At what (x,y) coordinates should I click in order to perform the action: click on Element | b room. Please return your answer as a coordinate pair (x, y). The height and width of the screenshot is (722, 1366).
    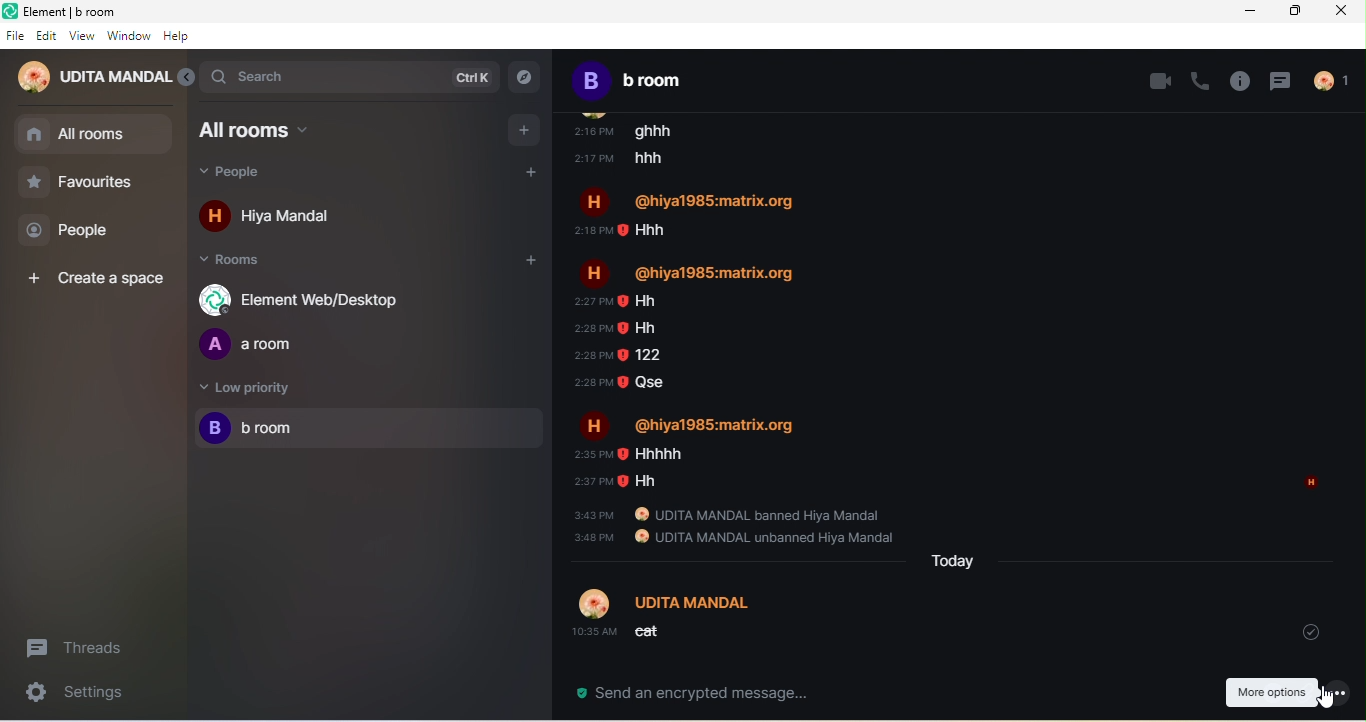
    Looking at the image, I should click on (78, 10).